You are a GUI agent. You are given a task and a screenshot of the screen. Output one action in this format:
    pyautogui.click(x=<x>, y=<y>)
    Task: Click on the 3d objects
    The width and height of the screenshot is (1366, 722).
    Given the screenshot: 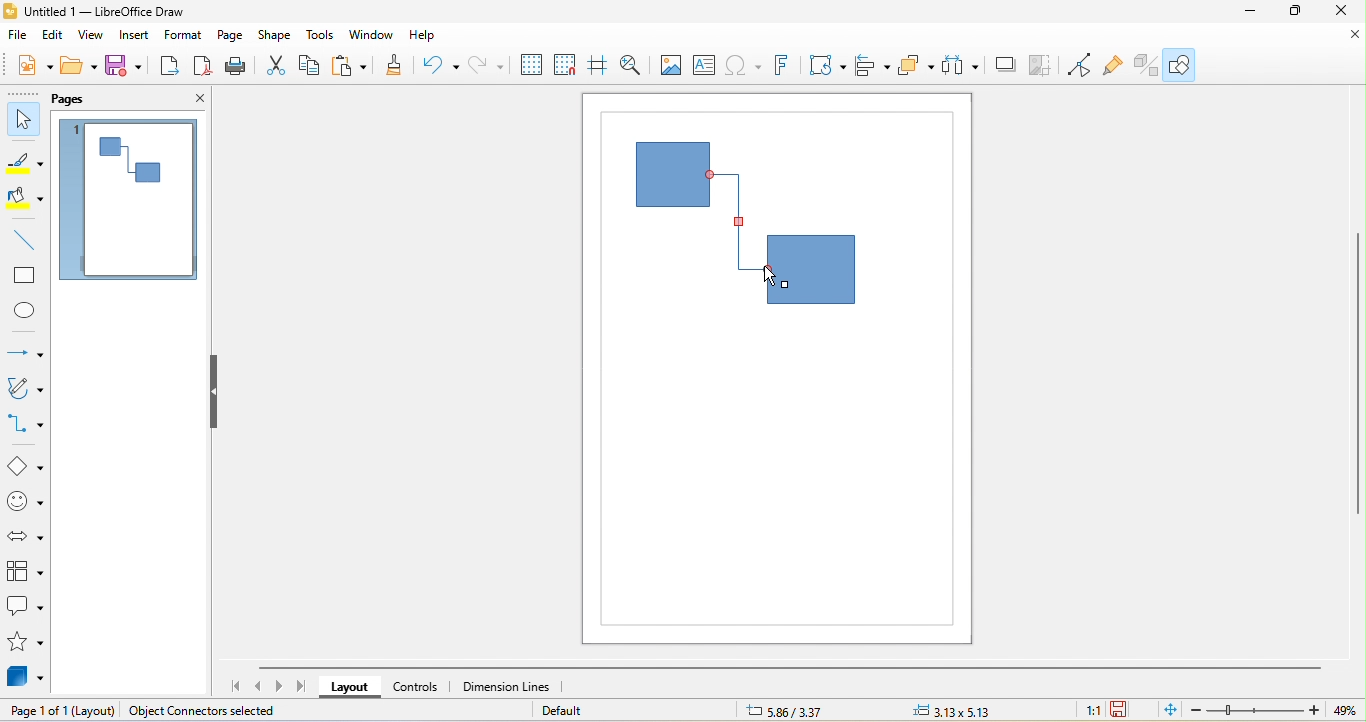 What is the action you would take?
    pyautogui.click(x=23, y=677)
    